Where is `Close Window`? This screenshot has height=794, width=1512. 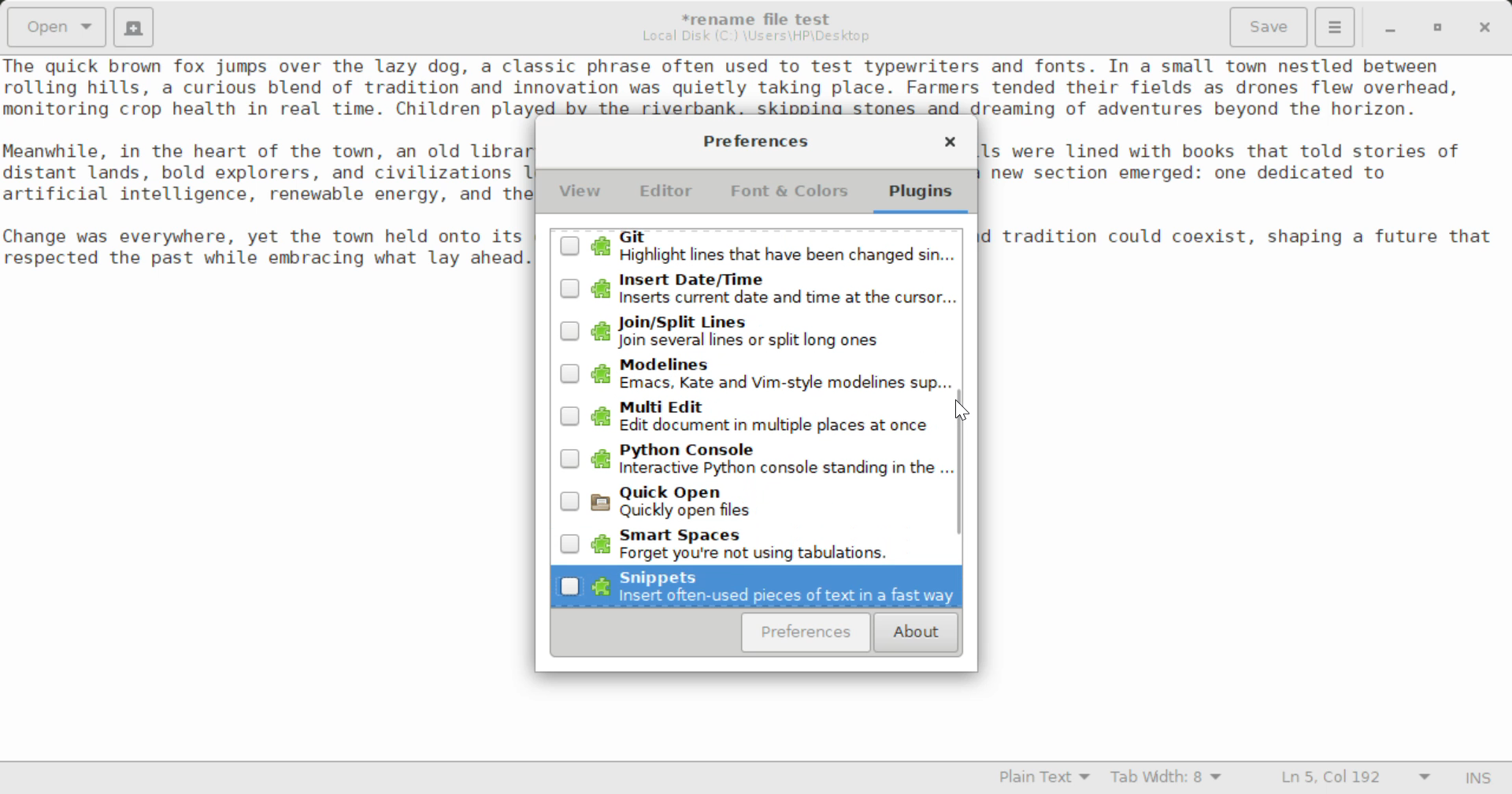
Close Window is located at coordinates (1487, 26).